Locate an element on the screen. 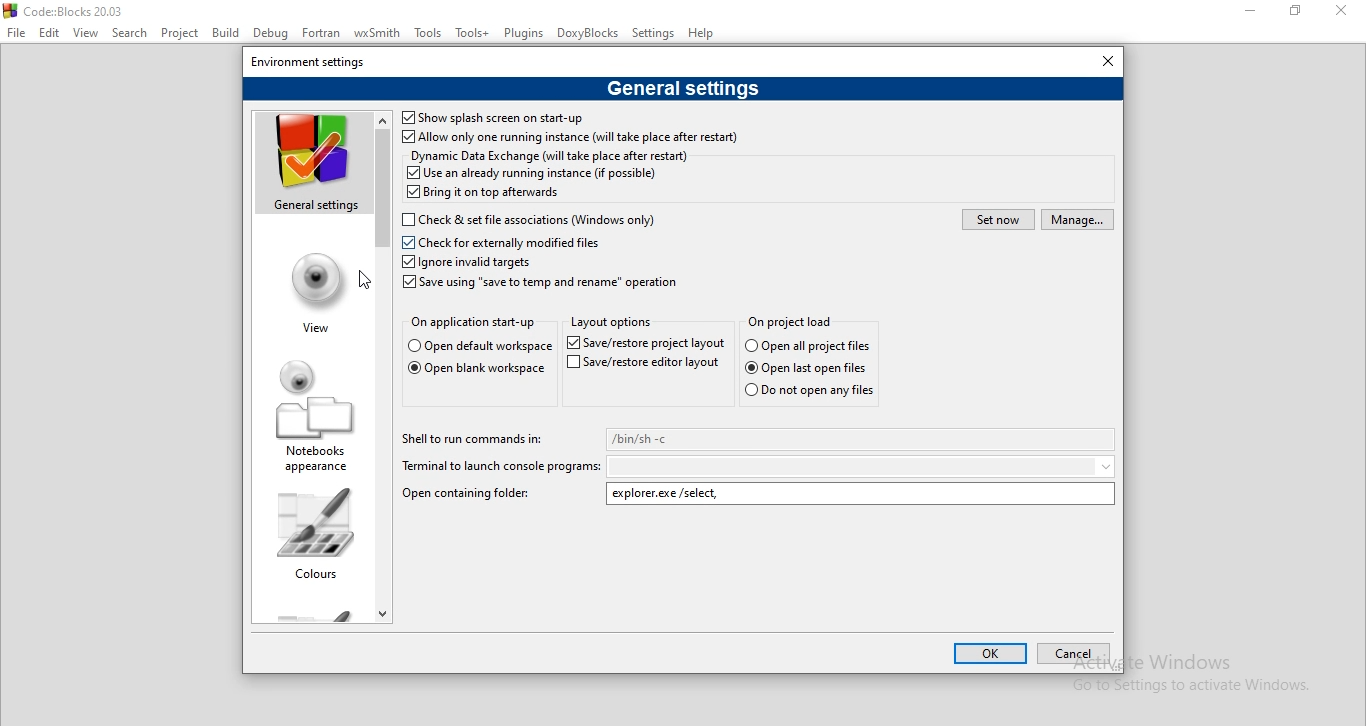 The image size is (1366, 726). Use an already running instance (if possible)  is located at coordinates (530, 174).